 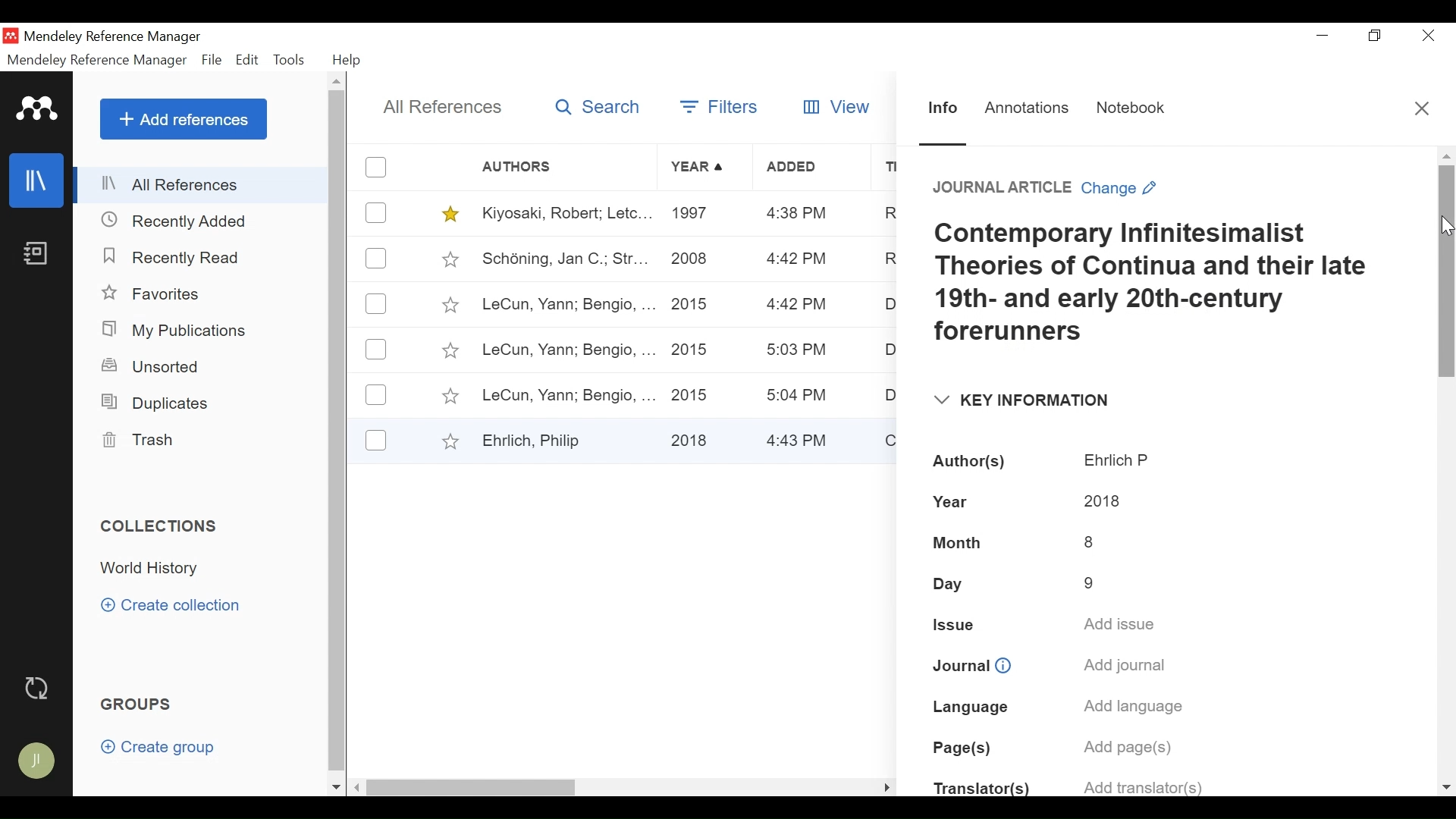 I want to click on Duplicates, so click(x=152, y=403).